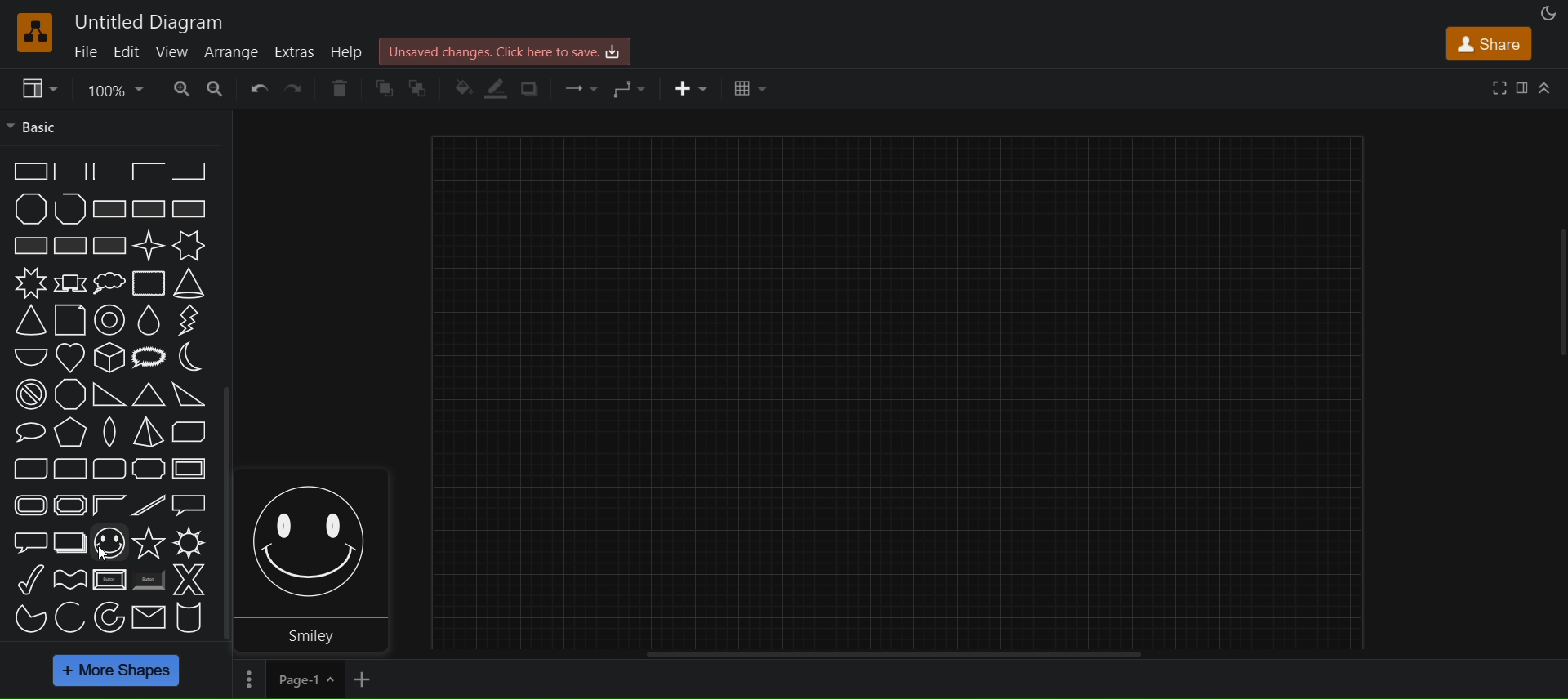 The height and width of the screenshot is (699, 1568). Describe the element at coordinates (35, 126) in the screenshot. I see `basic` at that location.